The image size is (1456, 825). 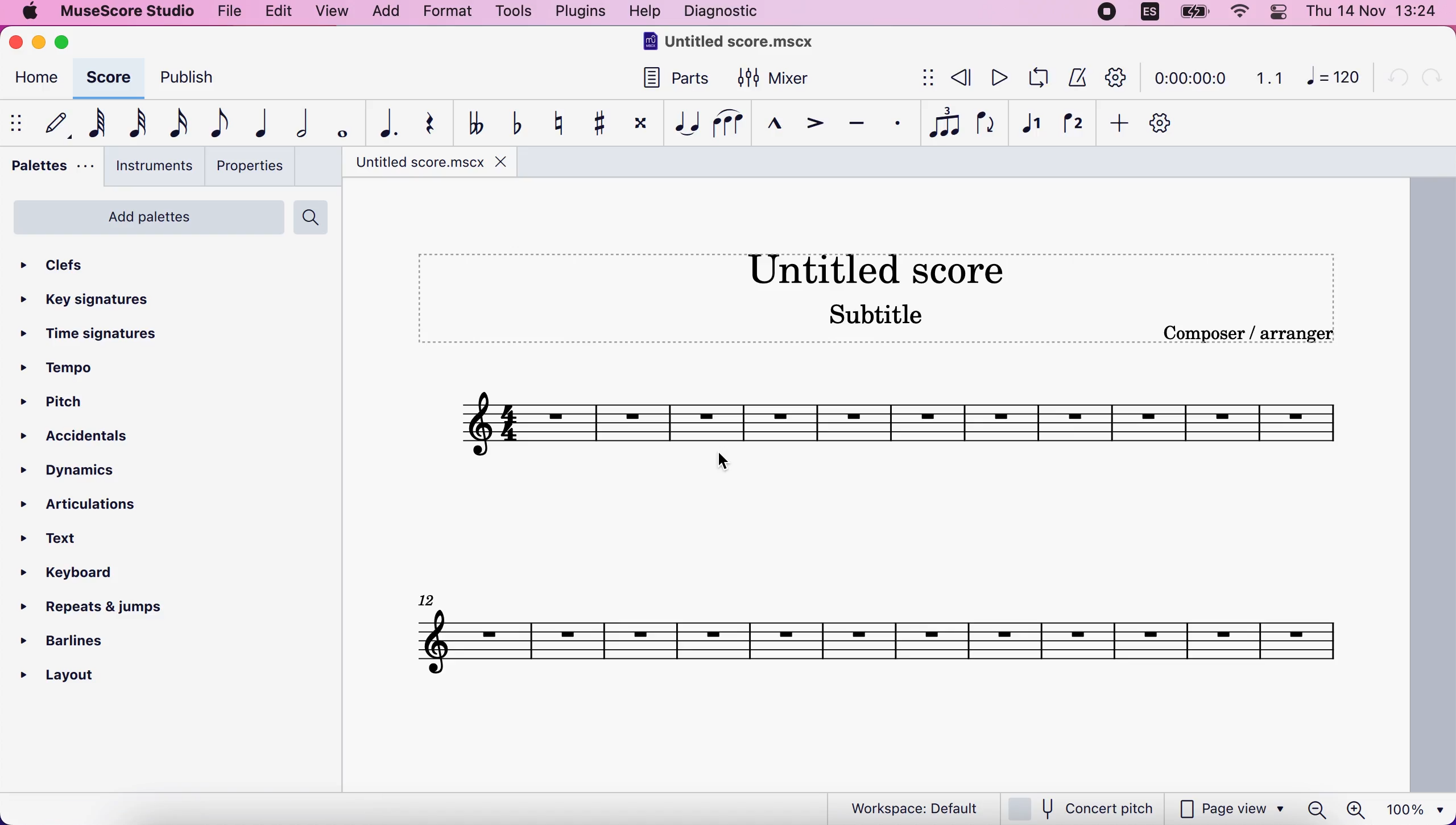 I want to click on augmentation dot, so click(x=380, y=121).